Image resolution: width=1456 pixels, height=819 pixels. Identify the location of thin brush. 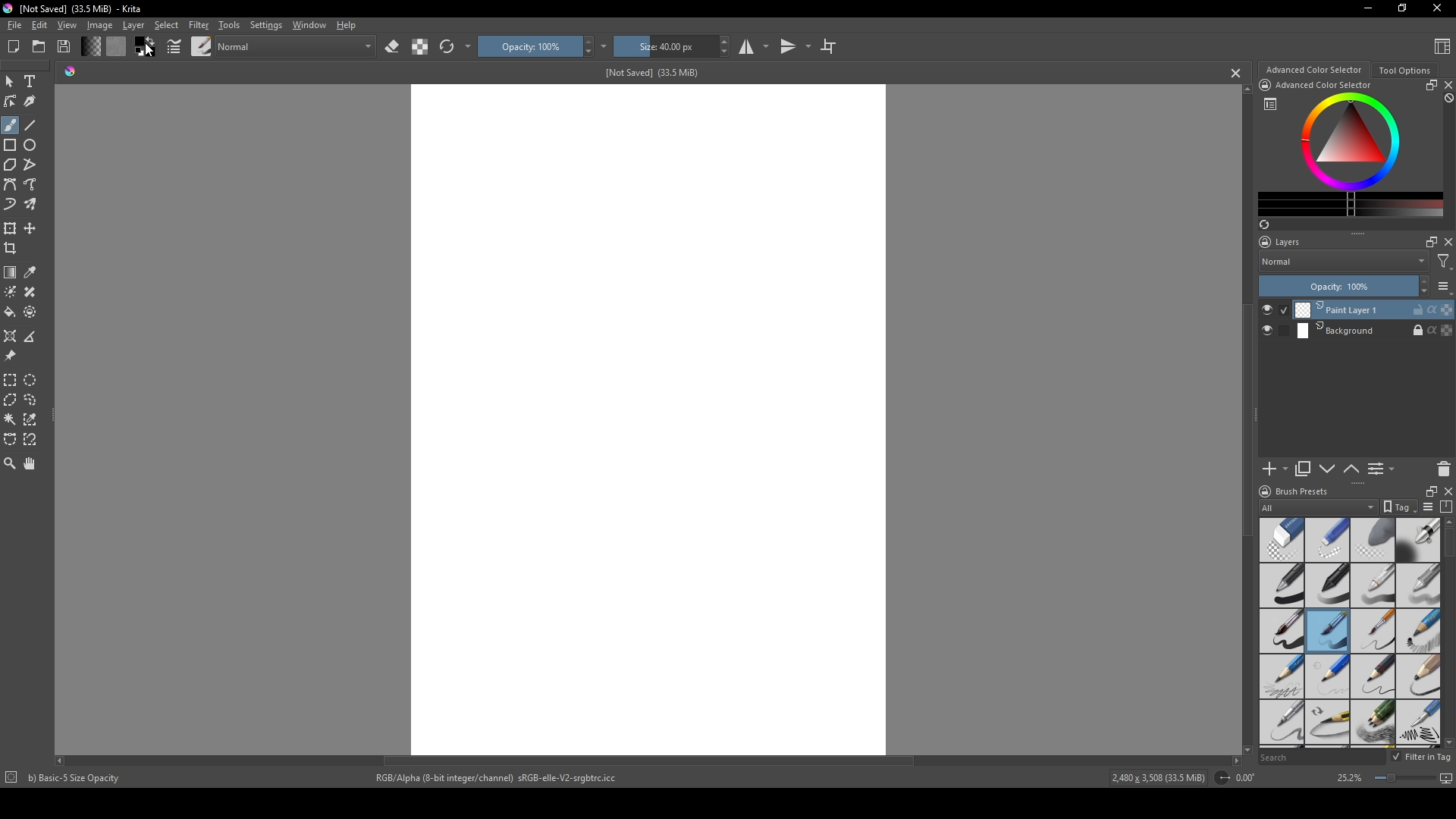
(1373, 632).